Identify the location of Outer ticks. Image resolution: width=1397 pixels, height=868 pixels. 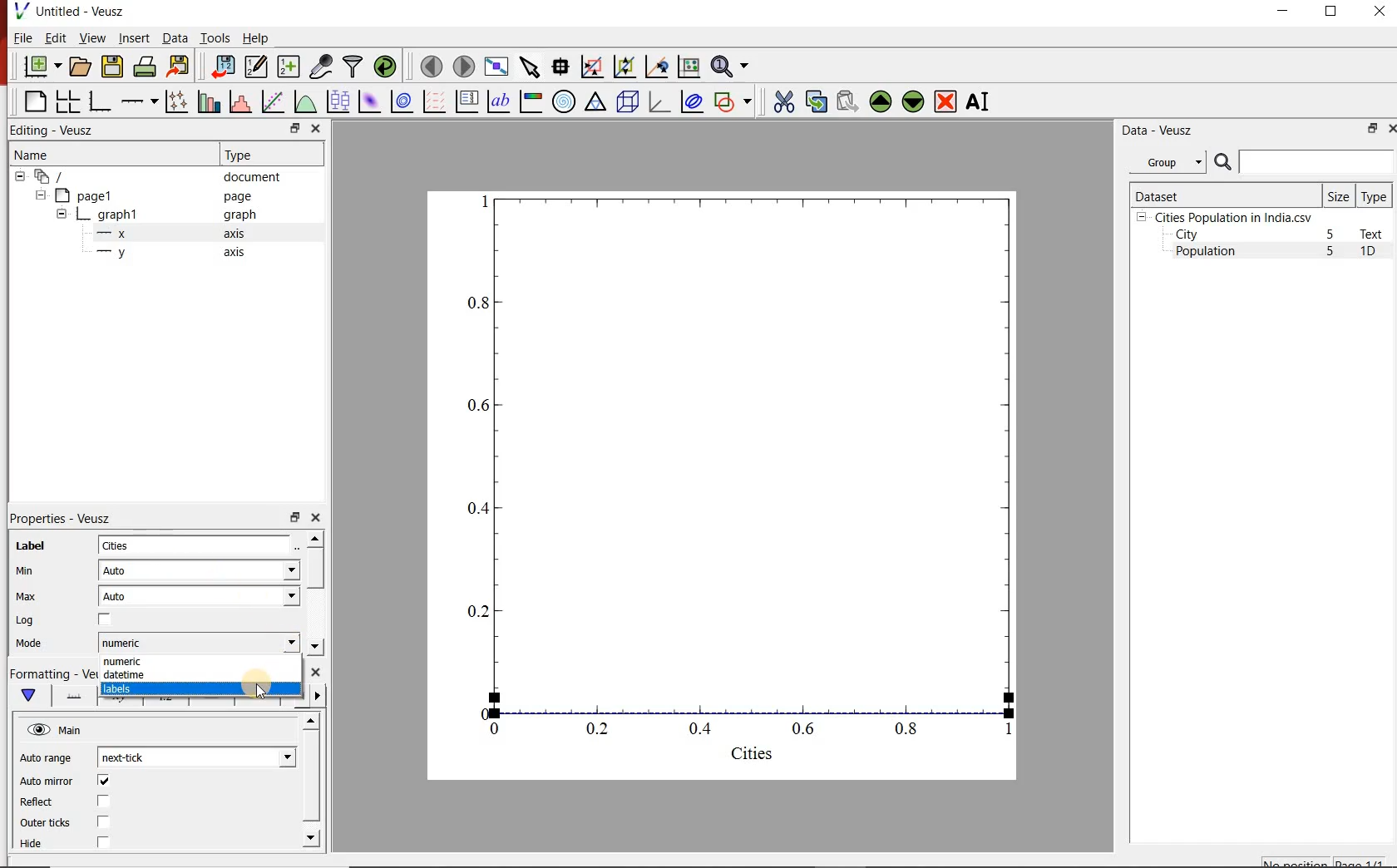
(44, 822).